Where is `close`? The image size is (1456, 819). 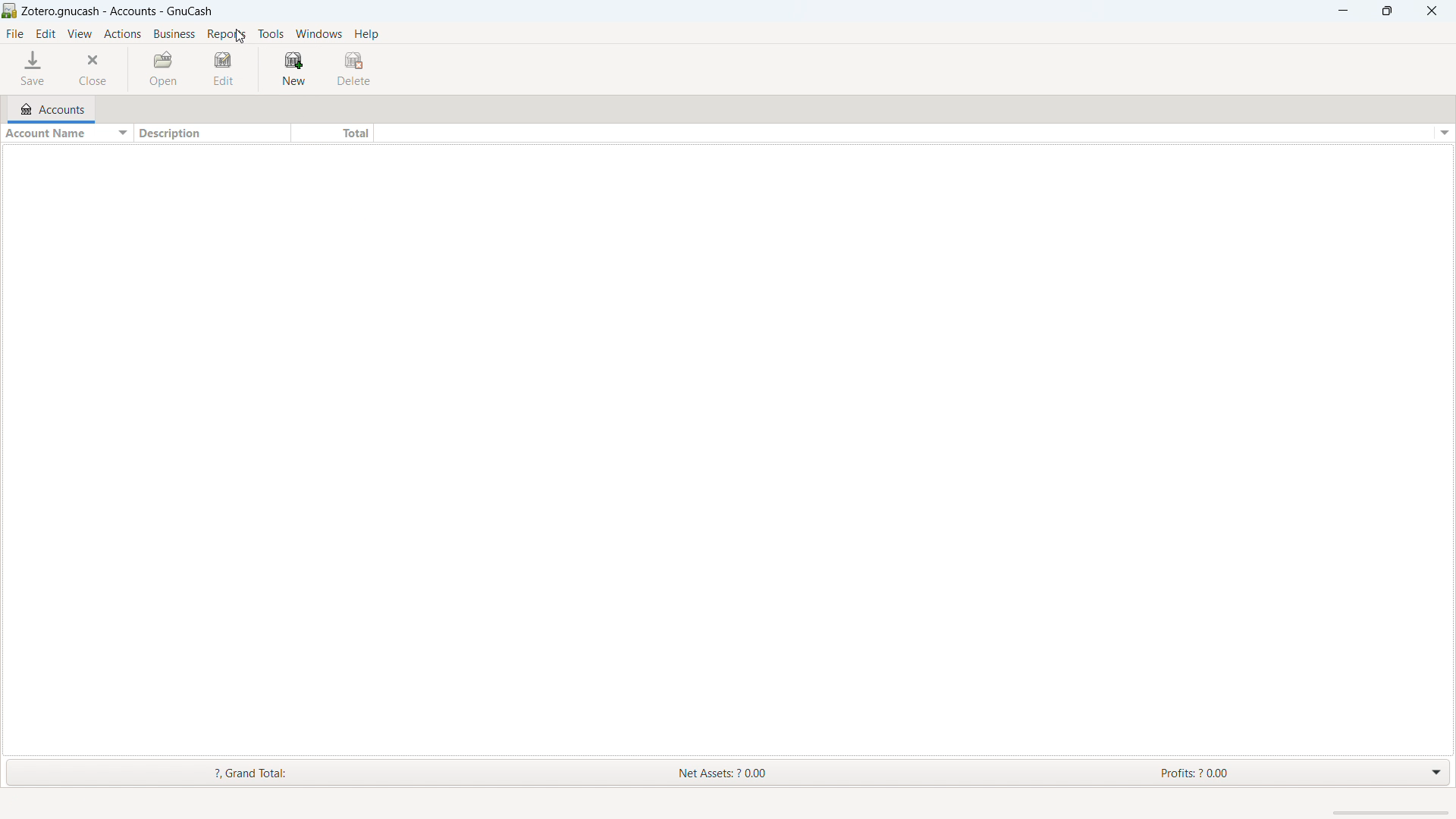 close is located at coordinates (1431, 11).